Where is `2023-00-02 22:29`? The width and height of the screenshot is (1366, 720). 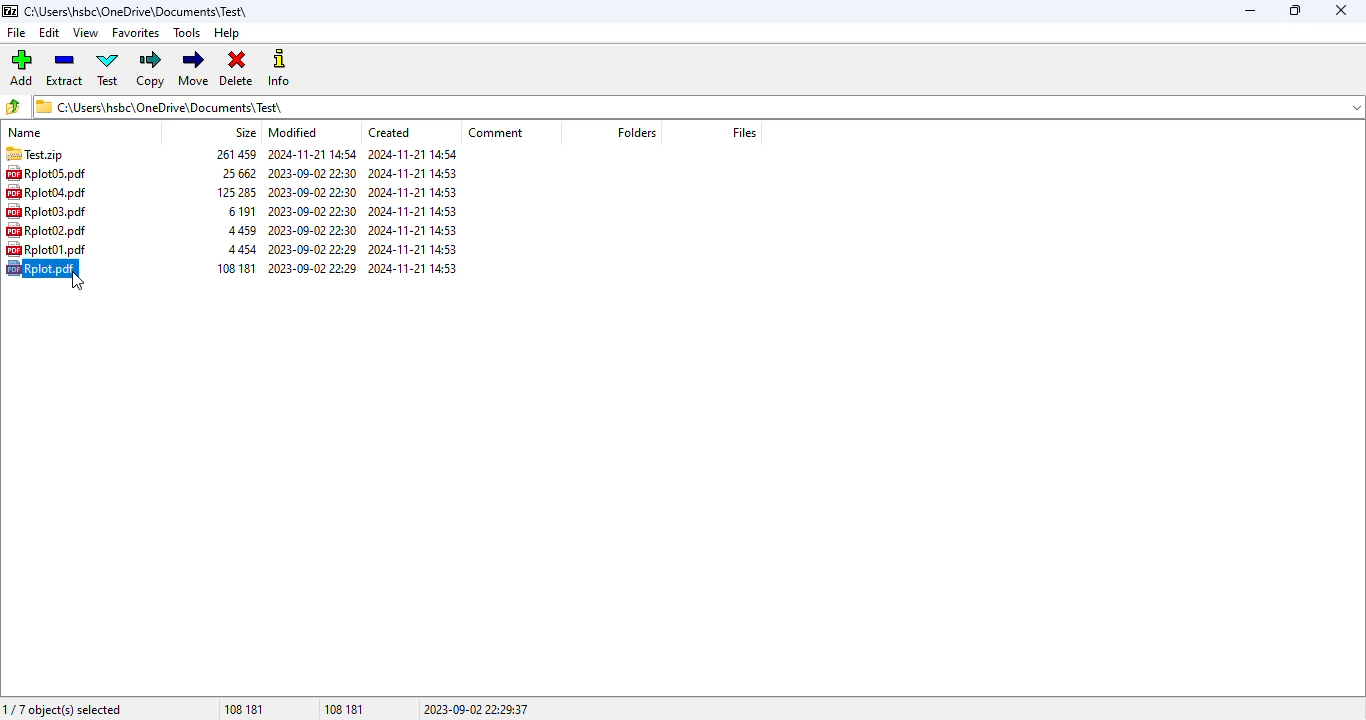
2023-00-02 22:29 is located at coordinates (312, 269).